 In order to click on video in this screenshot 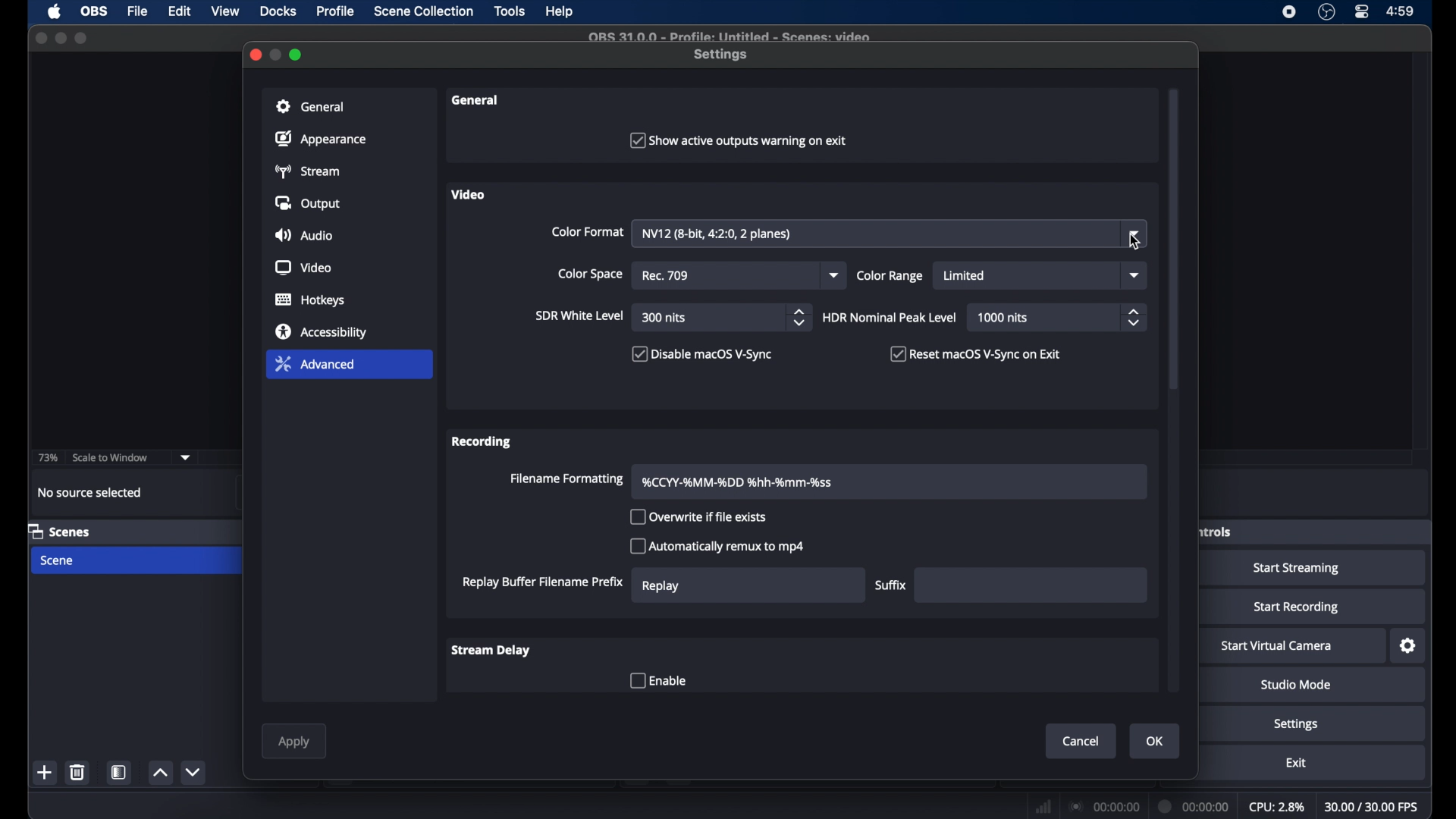, I will do `click(303, 268)`.